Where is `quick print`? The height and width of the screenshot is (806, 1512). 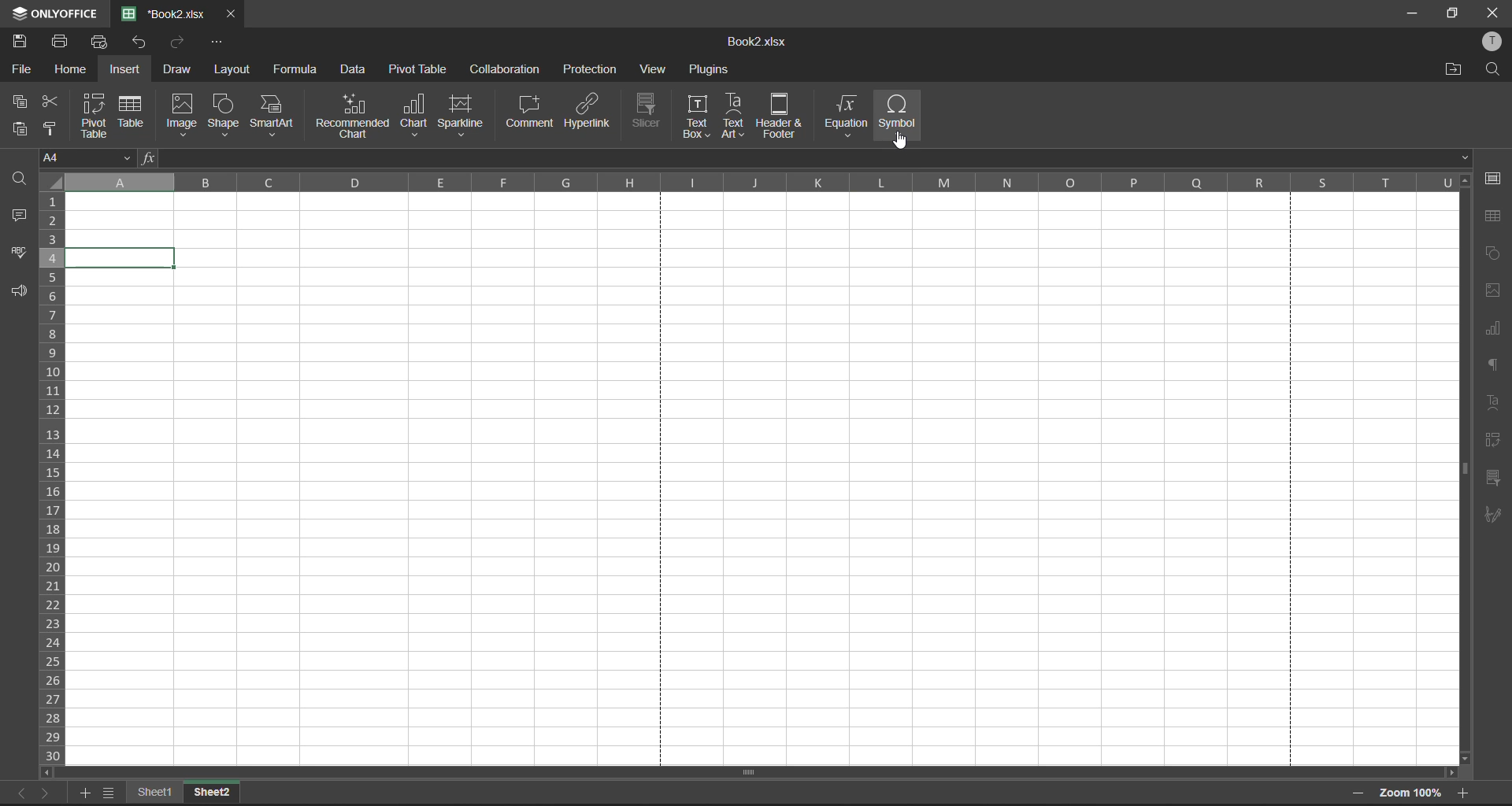 quick print is located at coordinates (100, 42).